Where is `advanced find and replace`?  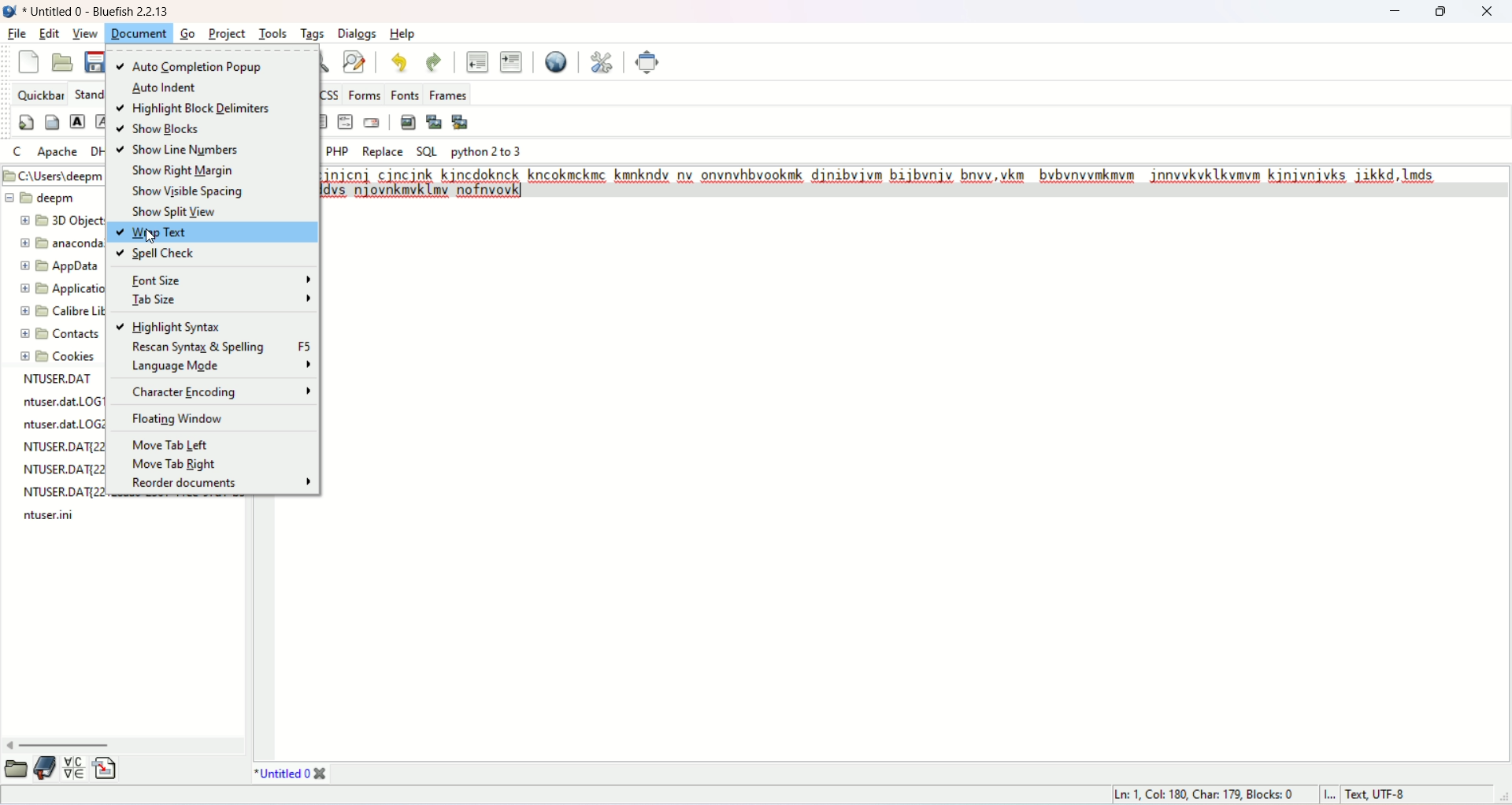
advanced find and replace is located at coordinates (354, 63).